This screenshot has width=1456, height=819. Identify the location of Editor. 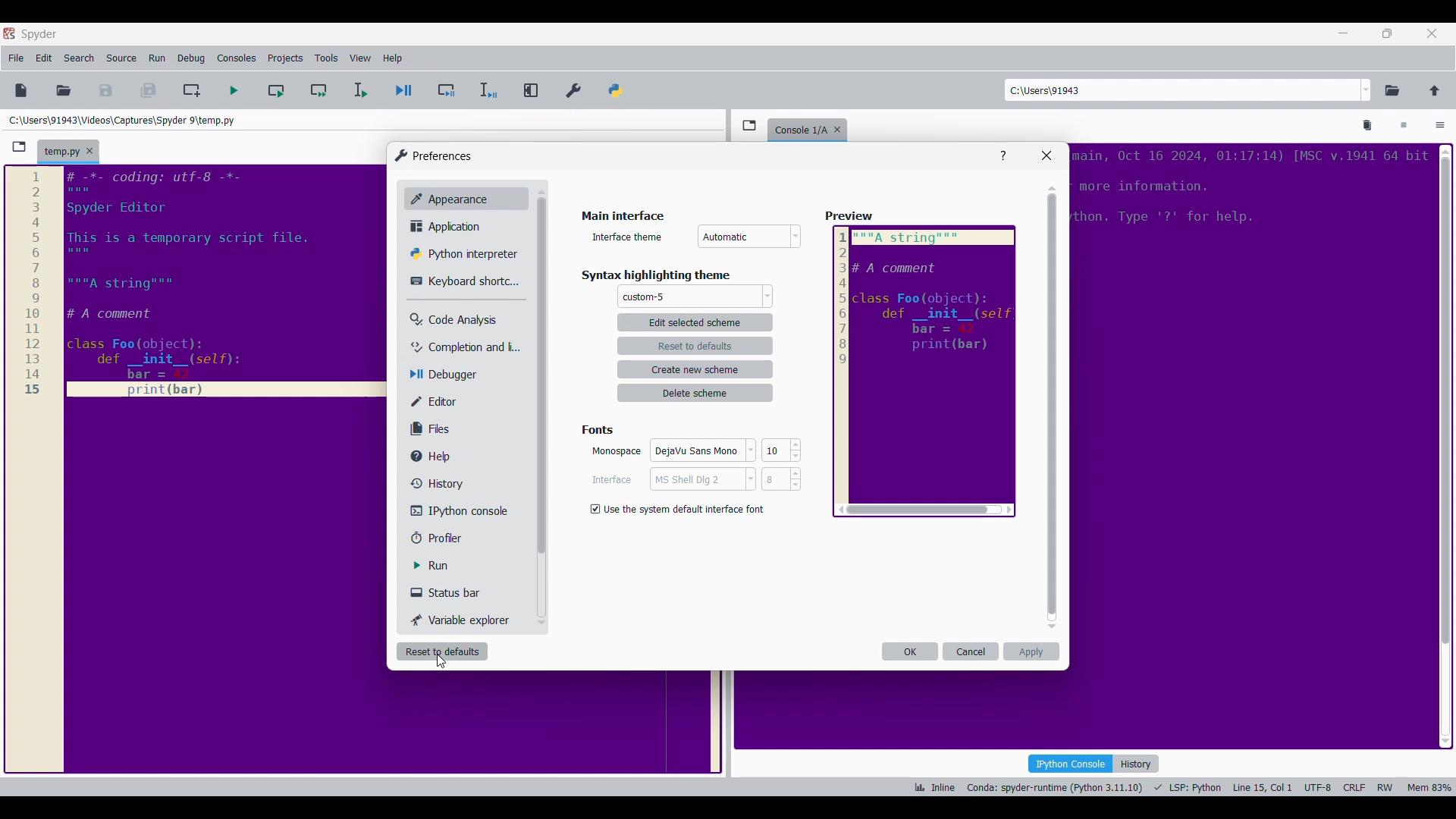
(467, 401).